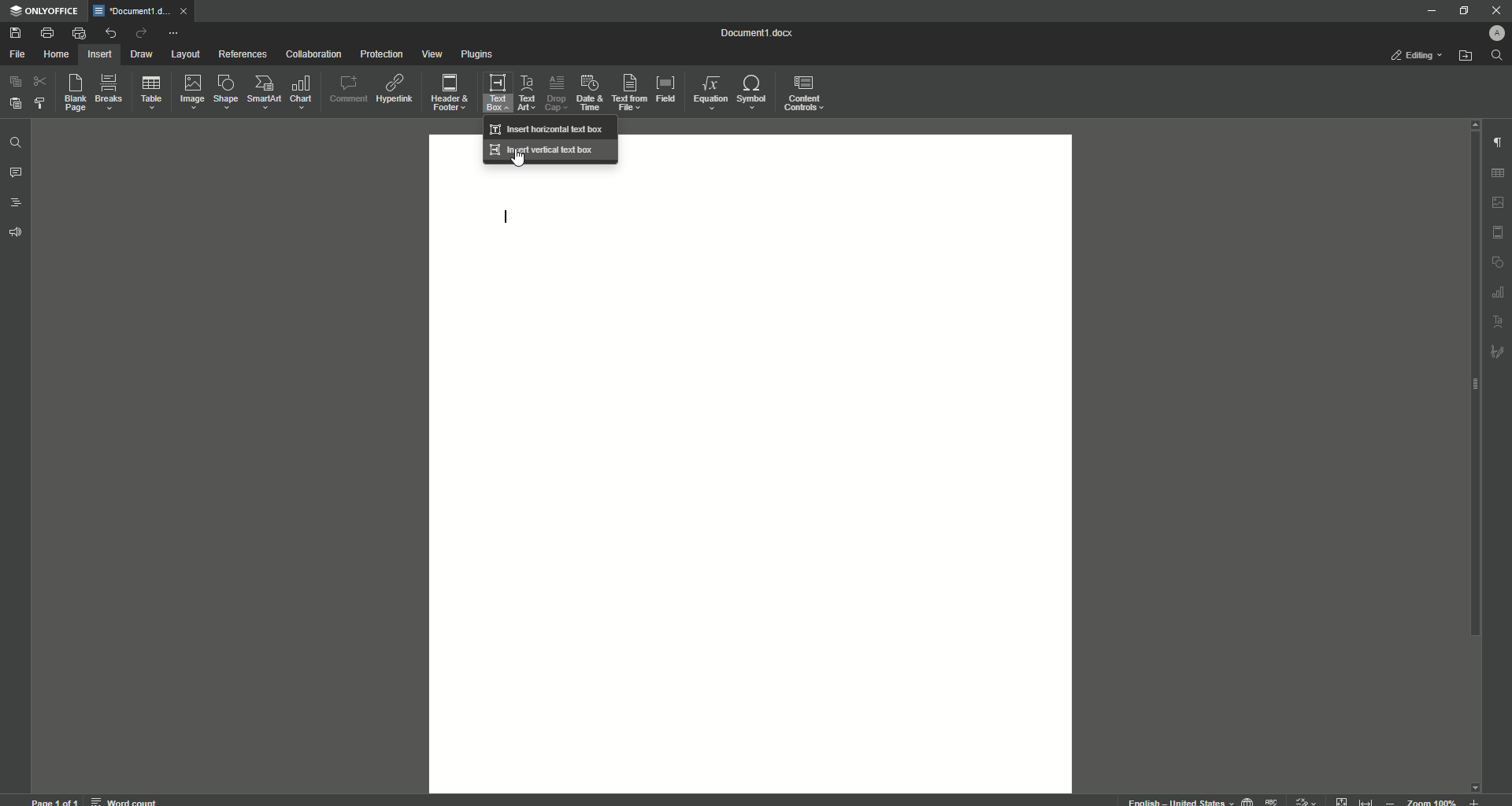 This screenshot has height=806, width=1512. What do you see at coordinates (1470, 394) in the screenshot?
I see `Scroll` at bounding box center [1470, 394].